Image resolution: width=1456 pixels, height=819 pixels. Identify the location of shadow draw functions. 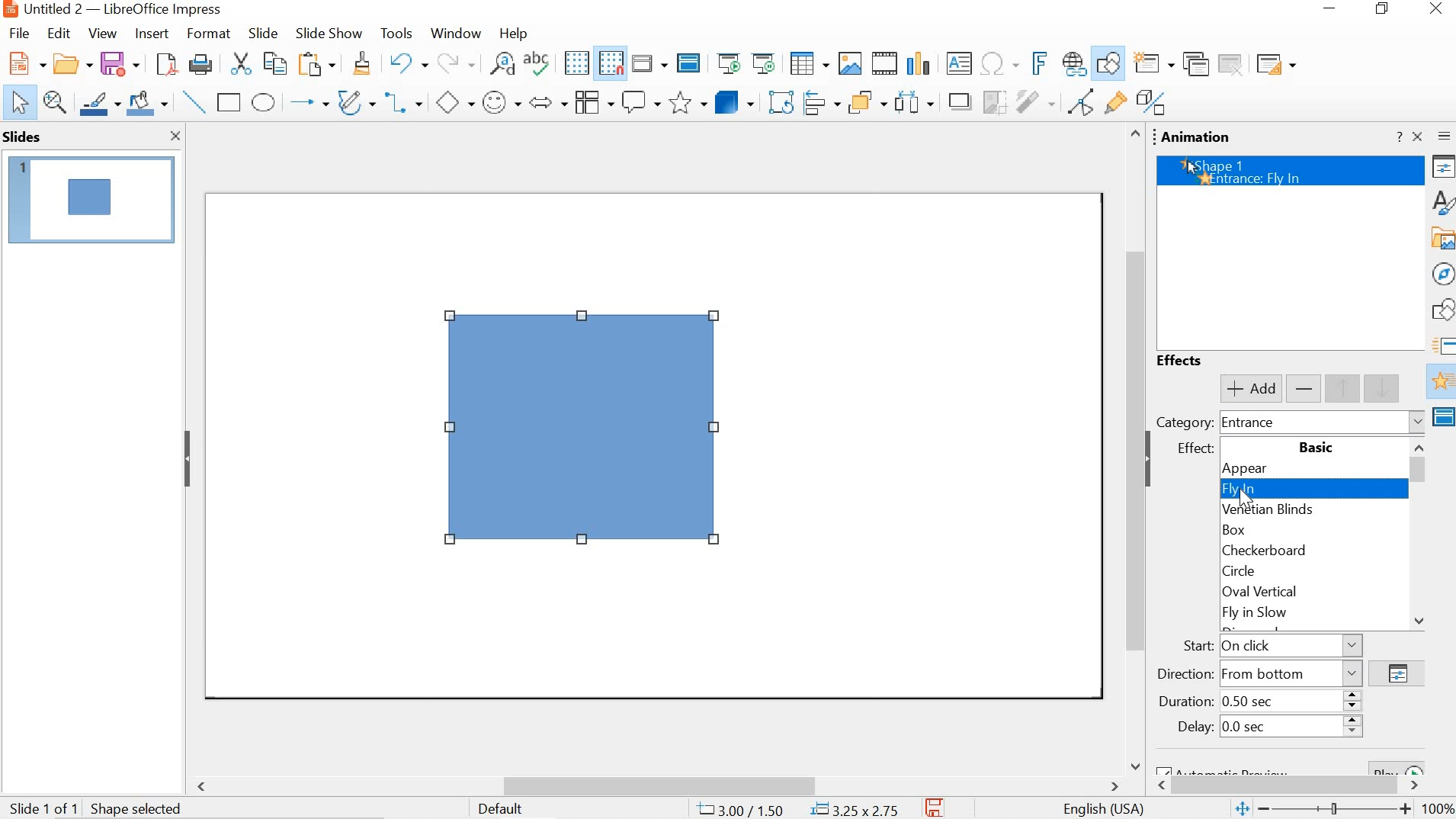
(1108, 62).